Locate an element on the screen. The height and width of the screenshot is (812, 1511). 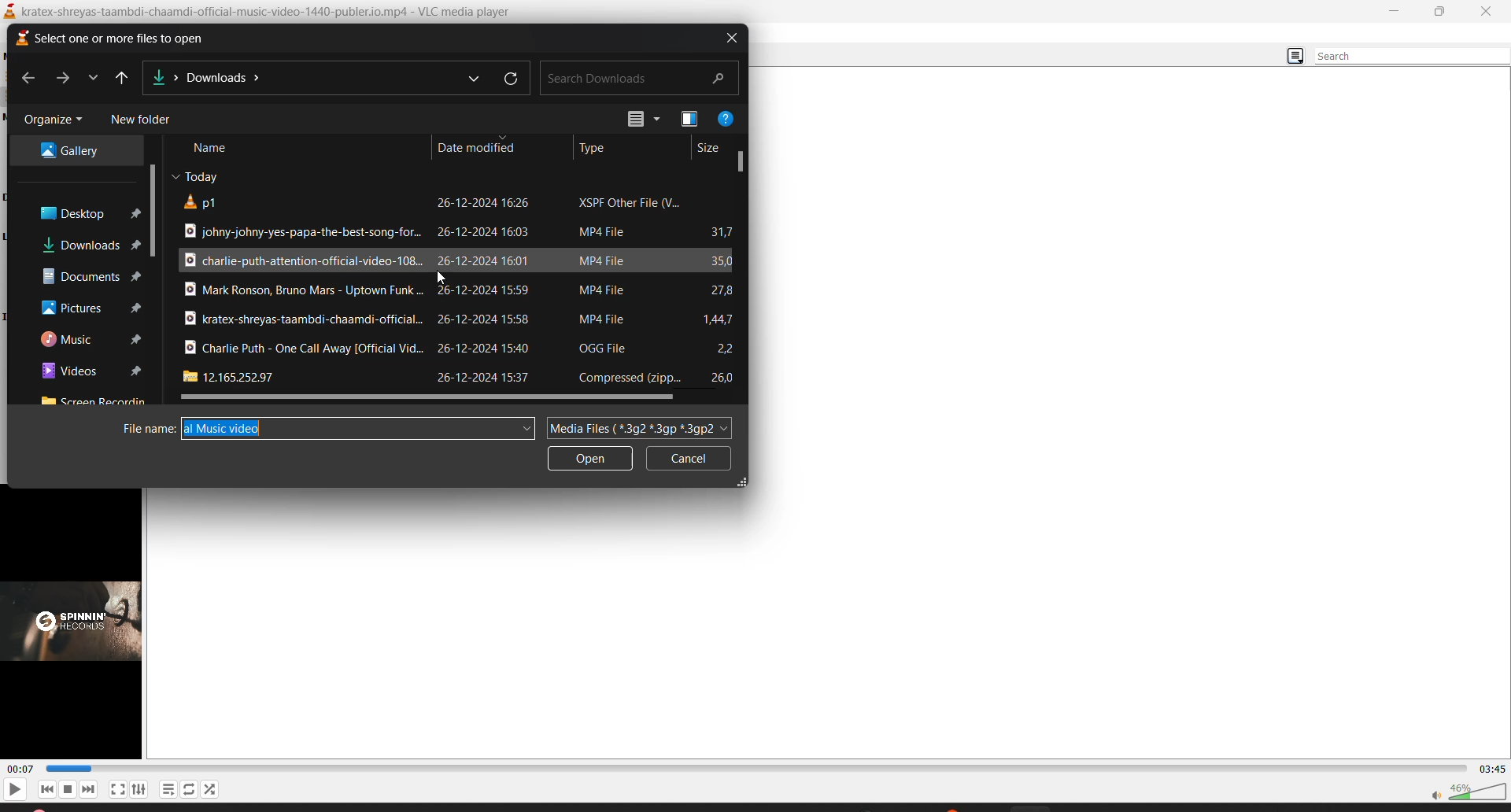
search is located at coordinates (1401, 53).